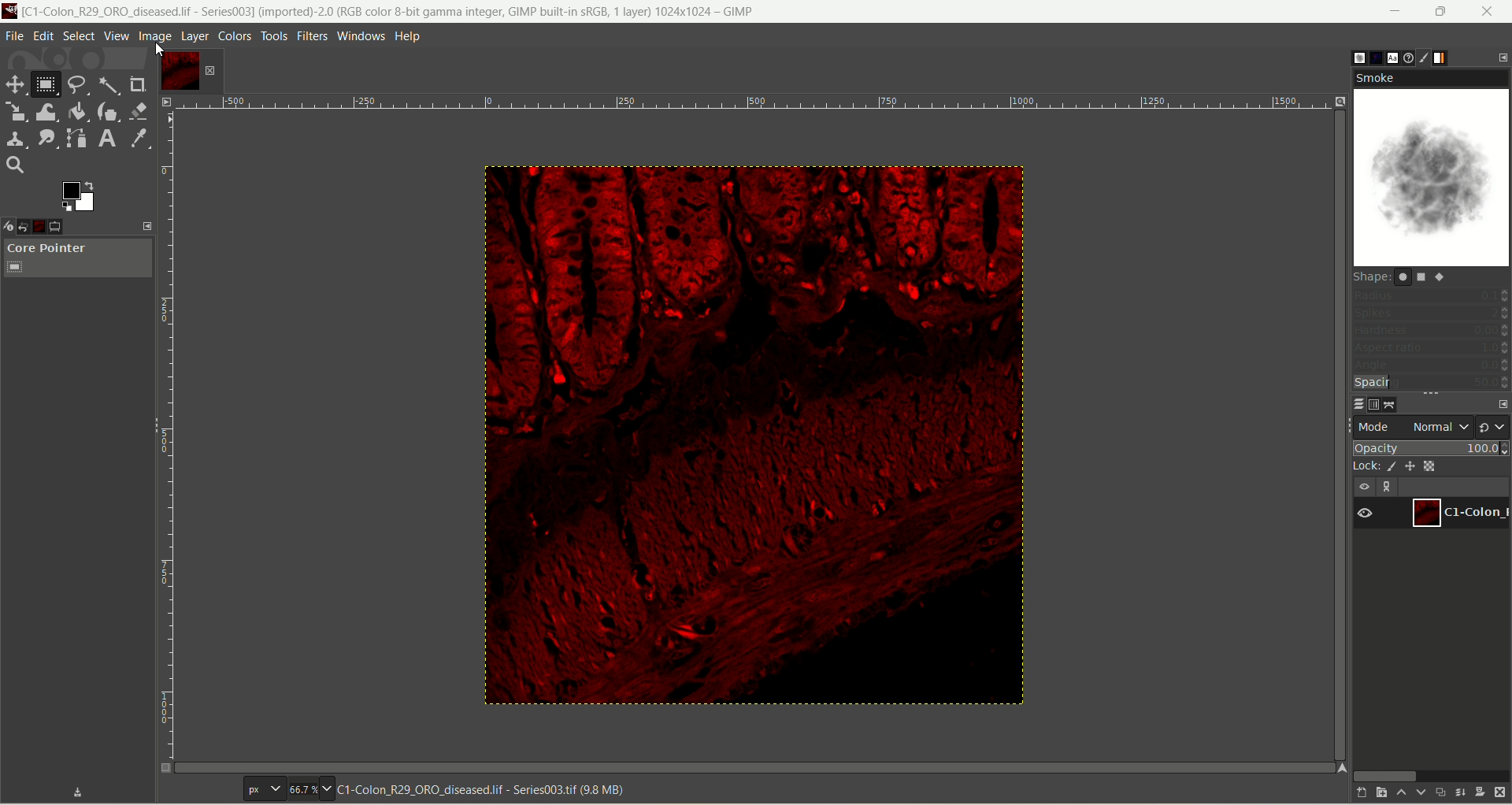  What do you see at coordinates (1377, 405) in the screenshot?
I see `channels` at bounding box center [1377, 405].